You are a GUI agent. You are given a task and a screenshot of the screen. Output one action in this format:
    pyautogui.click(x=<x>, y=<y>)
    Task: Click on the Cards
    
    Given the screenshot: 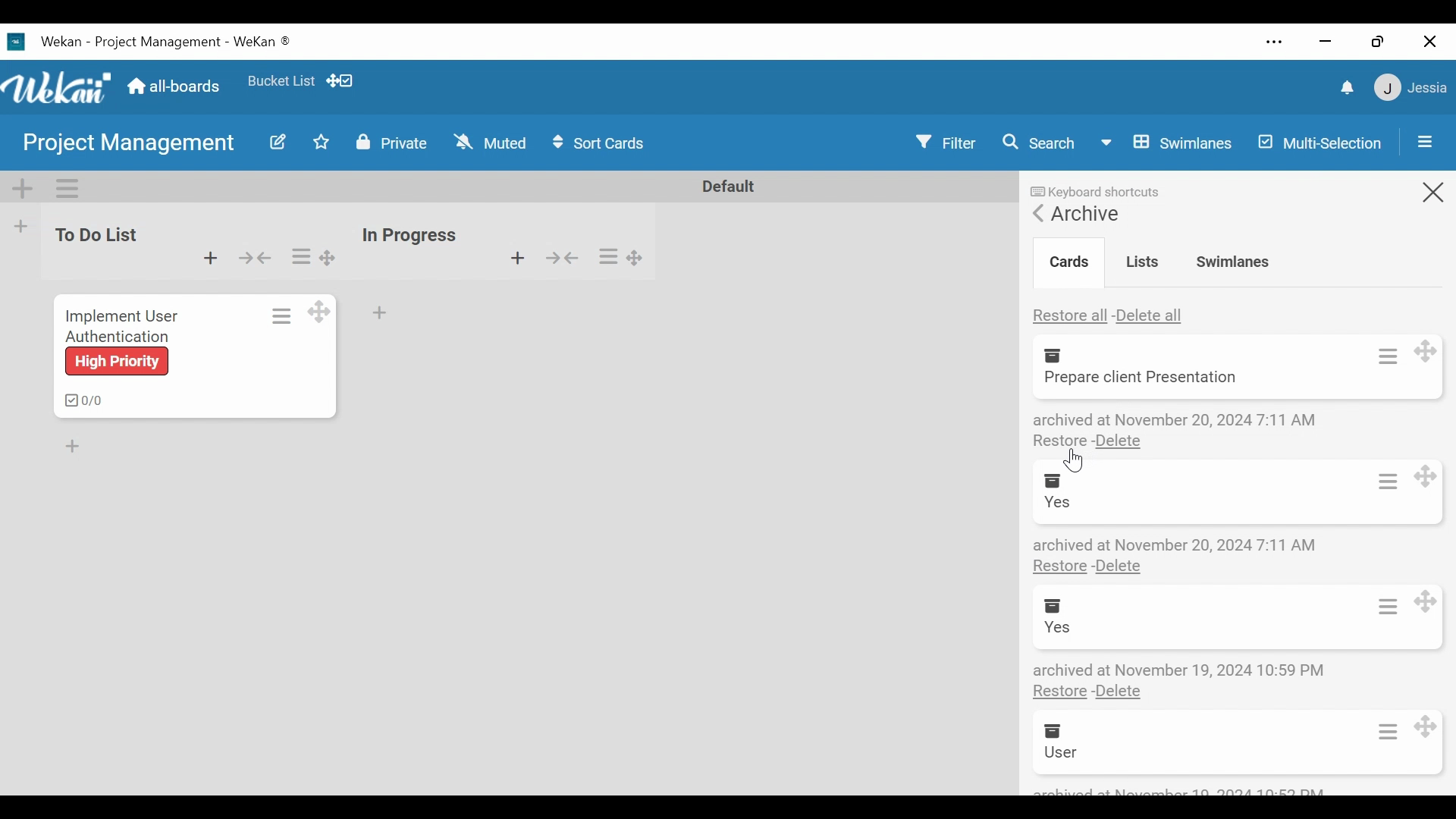 What is the action you would take?
    pyautogui.click(x=1066, y=259)
    